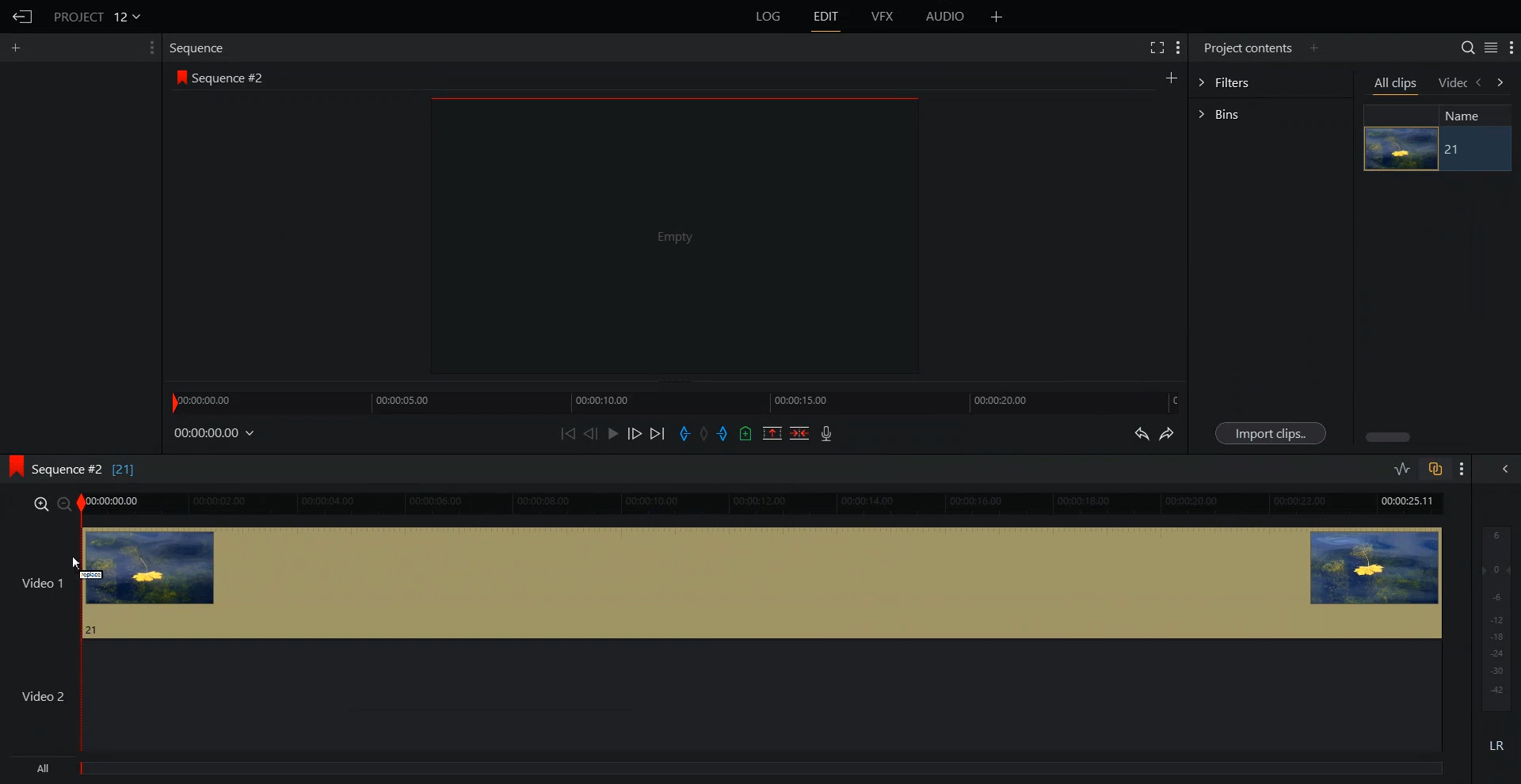  What do you see at coordinates (761, 582) in the screenshot?
I see `Video 1` at bounding box center [761, 582].